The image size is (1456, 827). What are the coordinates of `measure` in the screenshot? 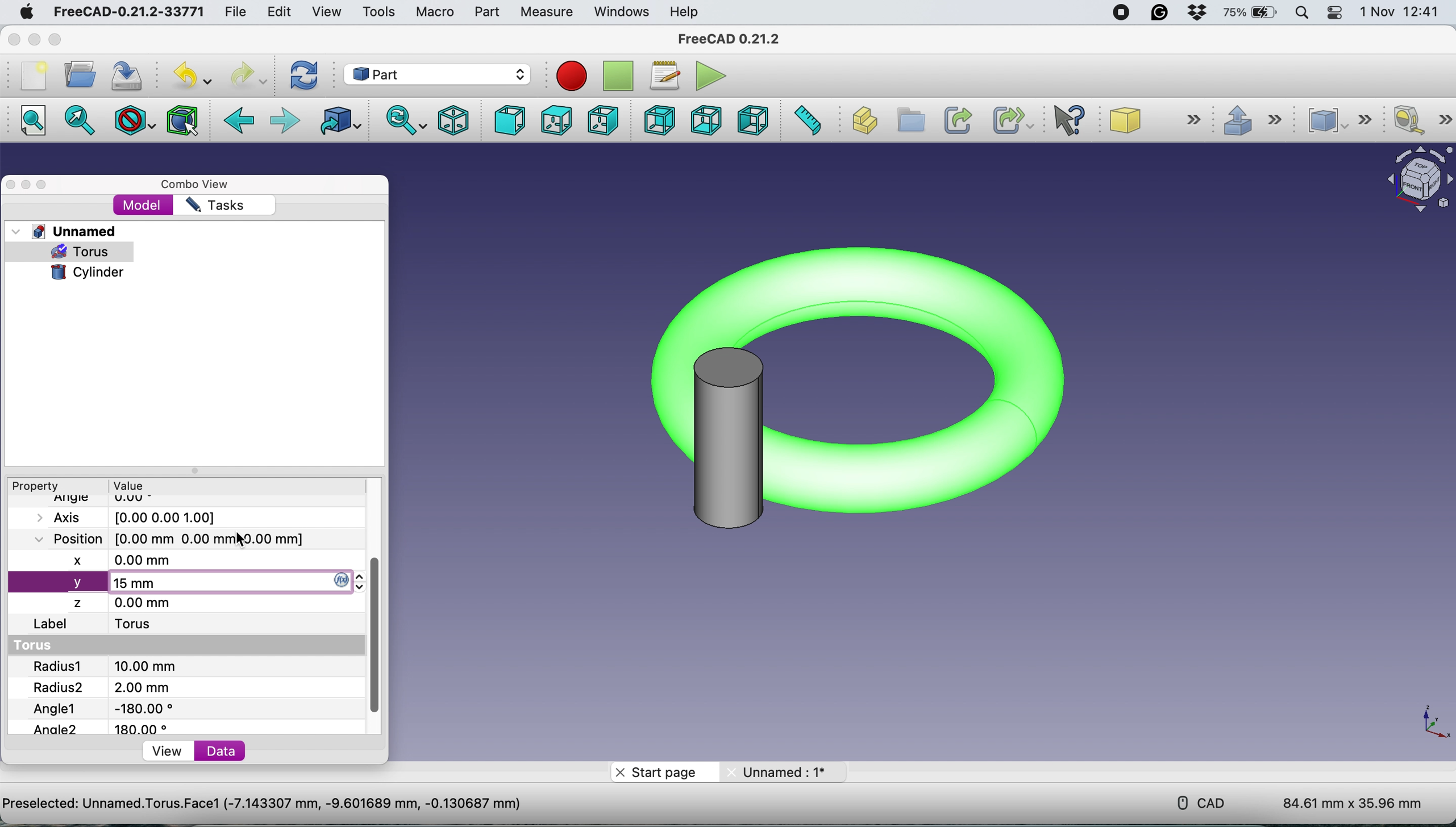 It's located at (543, 11).